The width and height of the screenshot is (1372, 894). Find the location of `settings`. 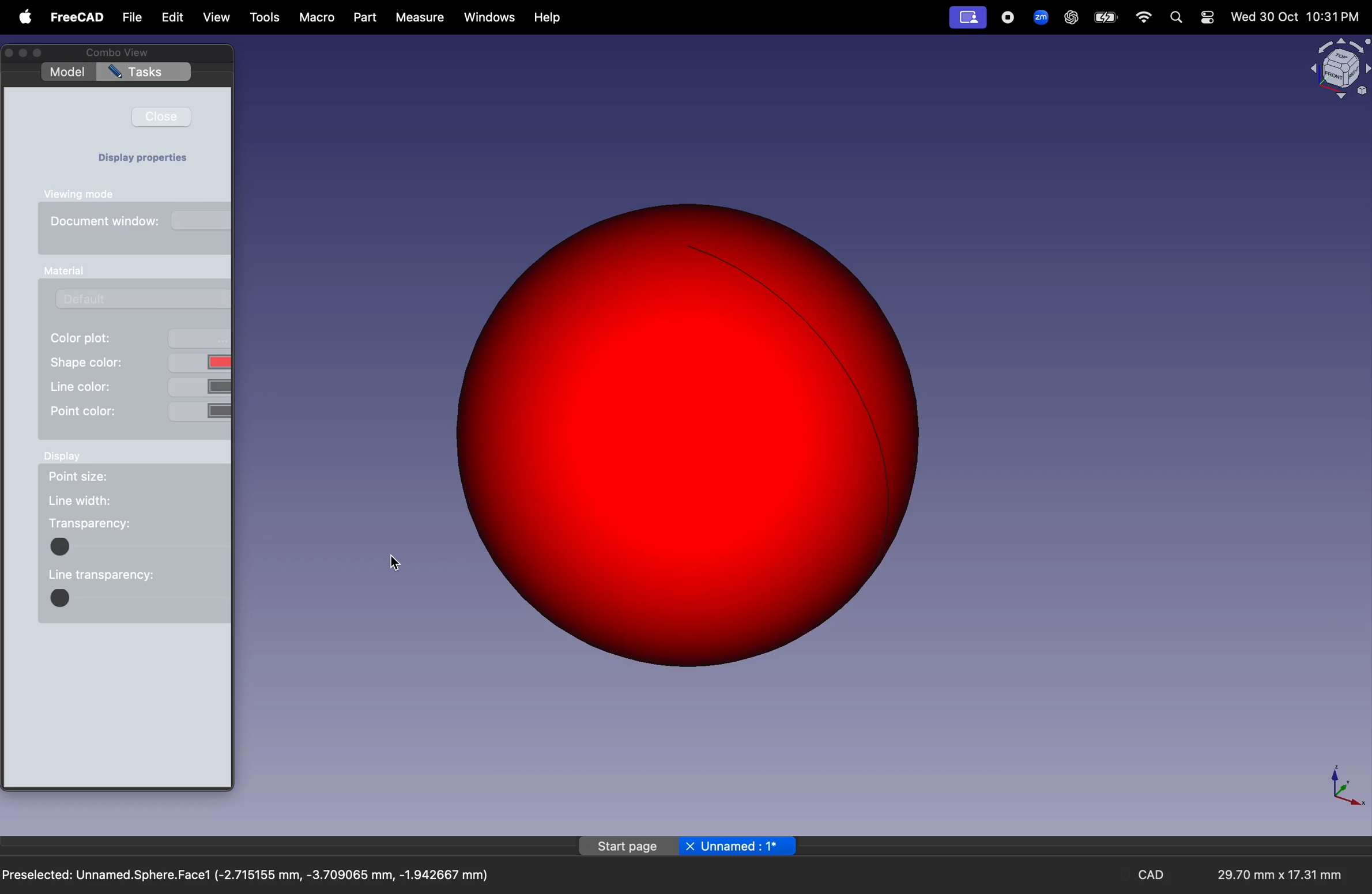

settings is located at coordinates (1207, 17).